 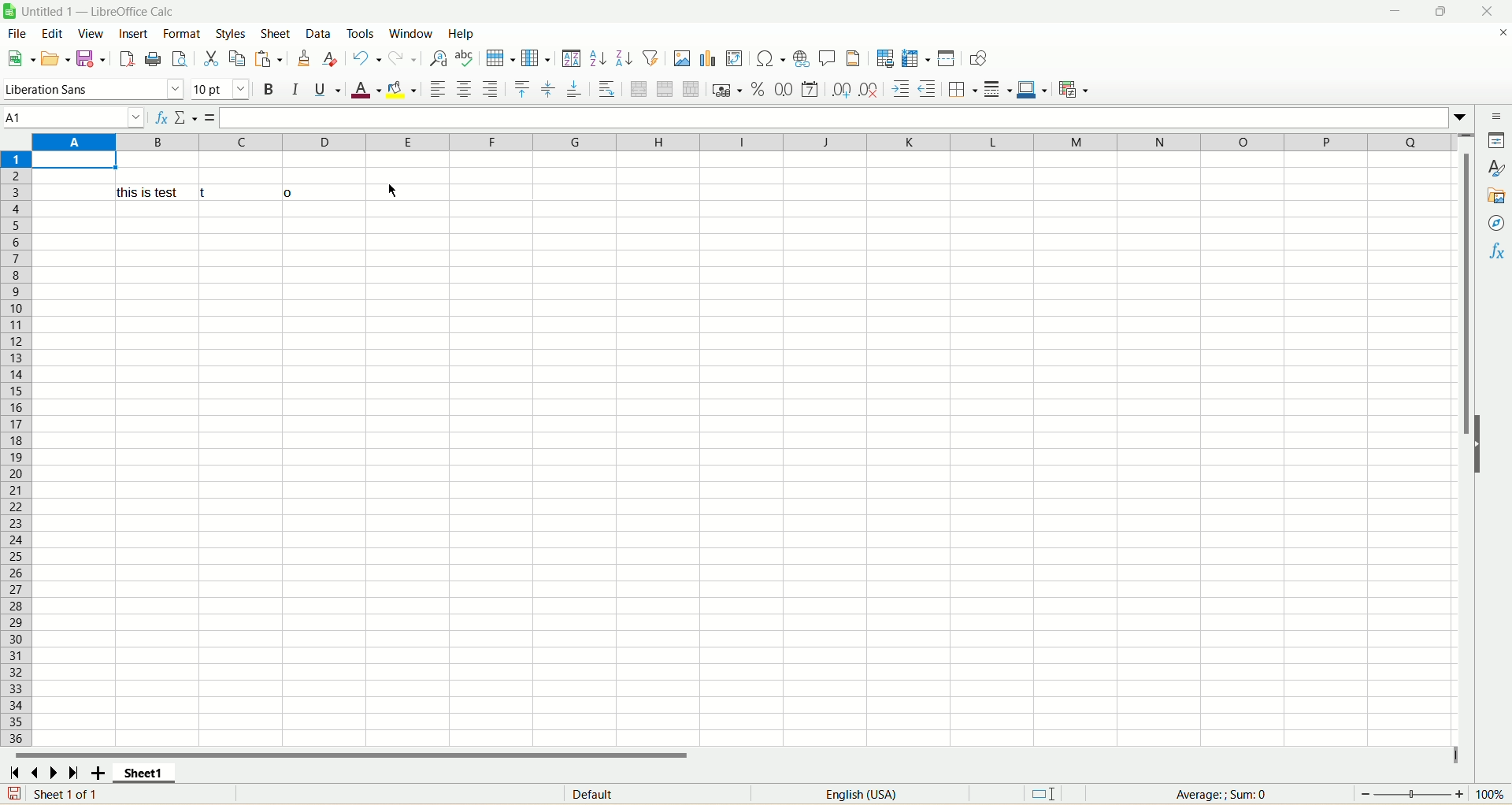 What do you see at coordinates (102, 770) in the screenshot?
I see `add sheet` at bounding box center [102, 770].